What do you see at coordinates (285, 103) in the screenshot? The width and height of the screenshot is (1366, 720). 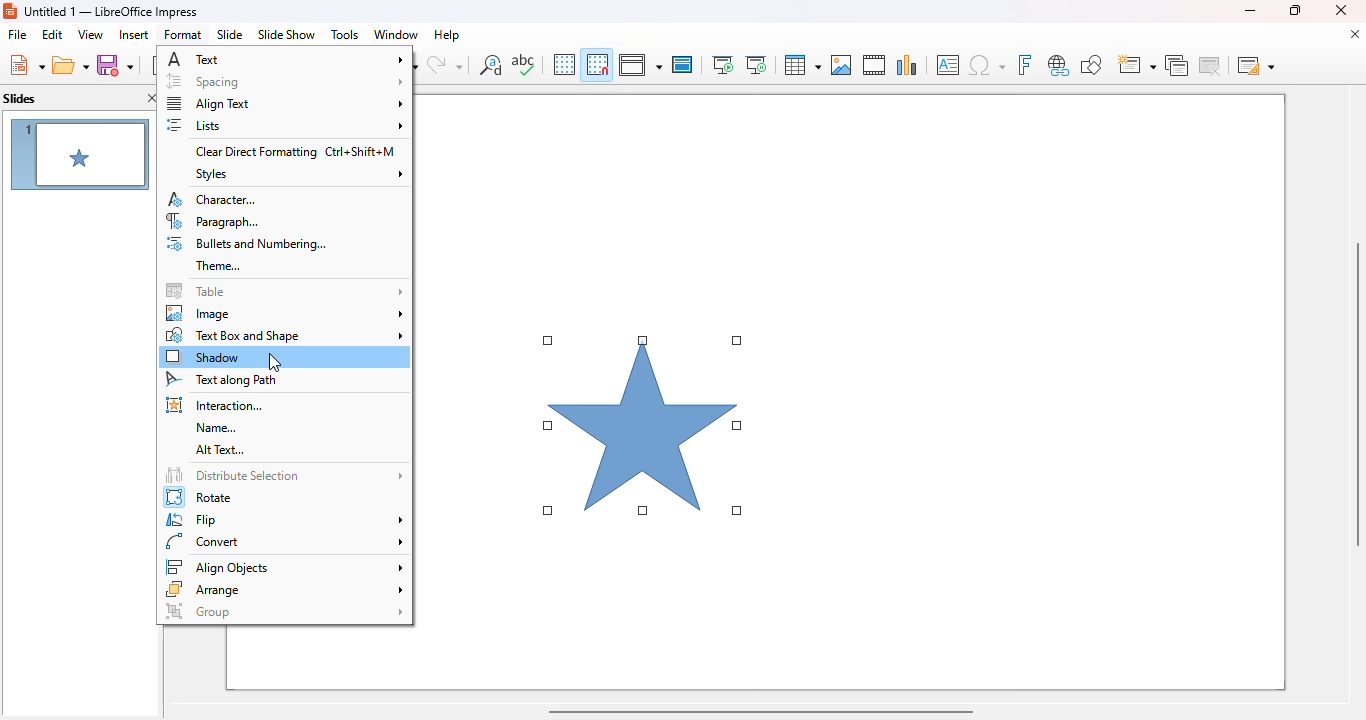 I see `align text` at bounding box center [285, 103].